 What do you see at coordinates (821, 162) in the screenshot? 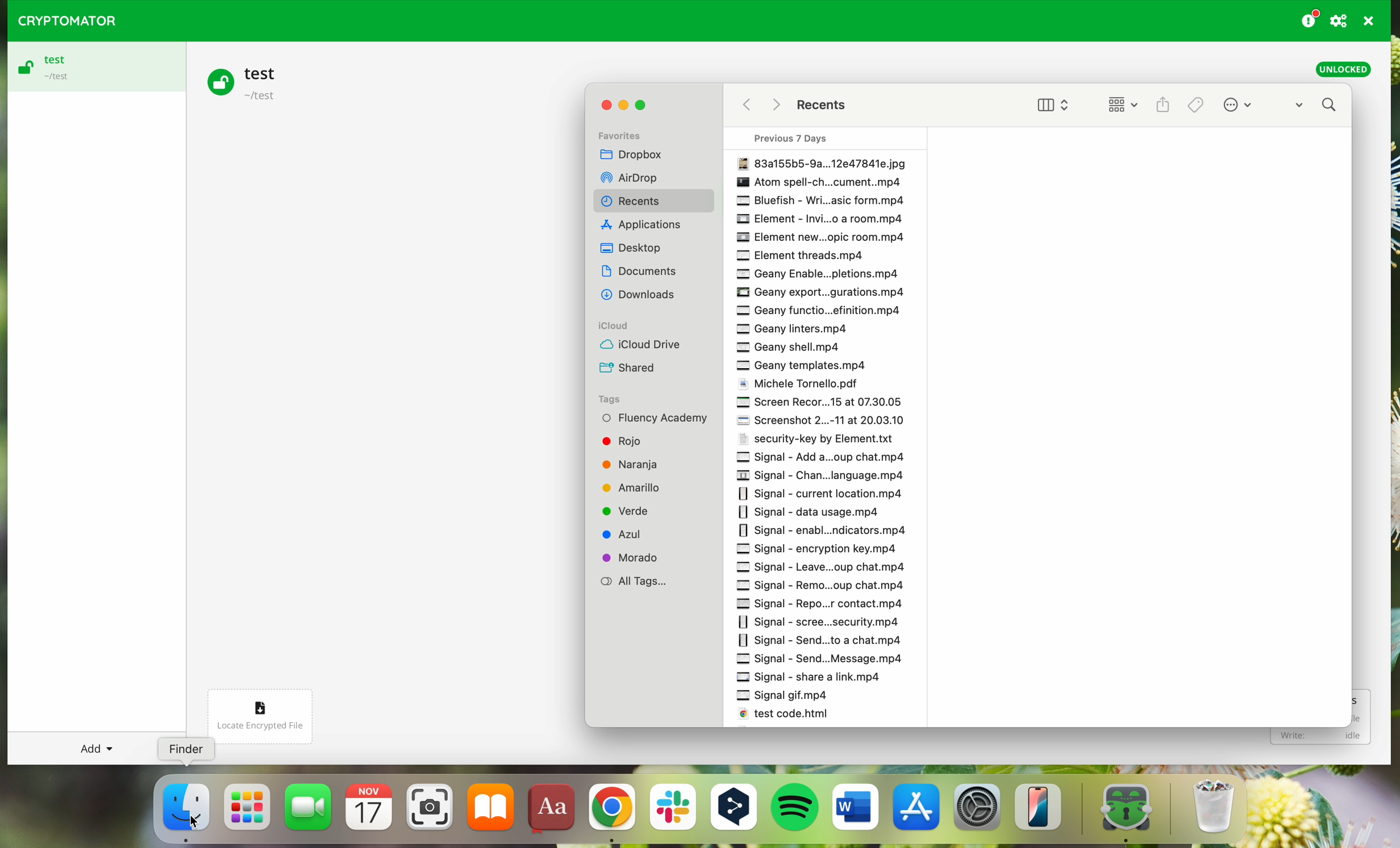
I see `File` at bounding box center [821, 162].